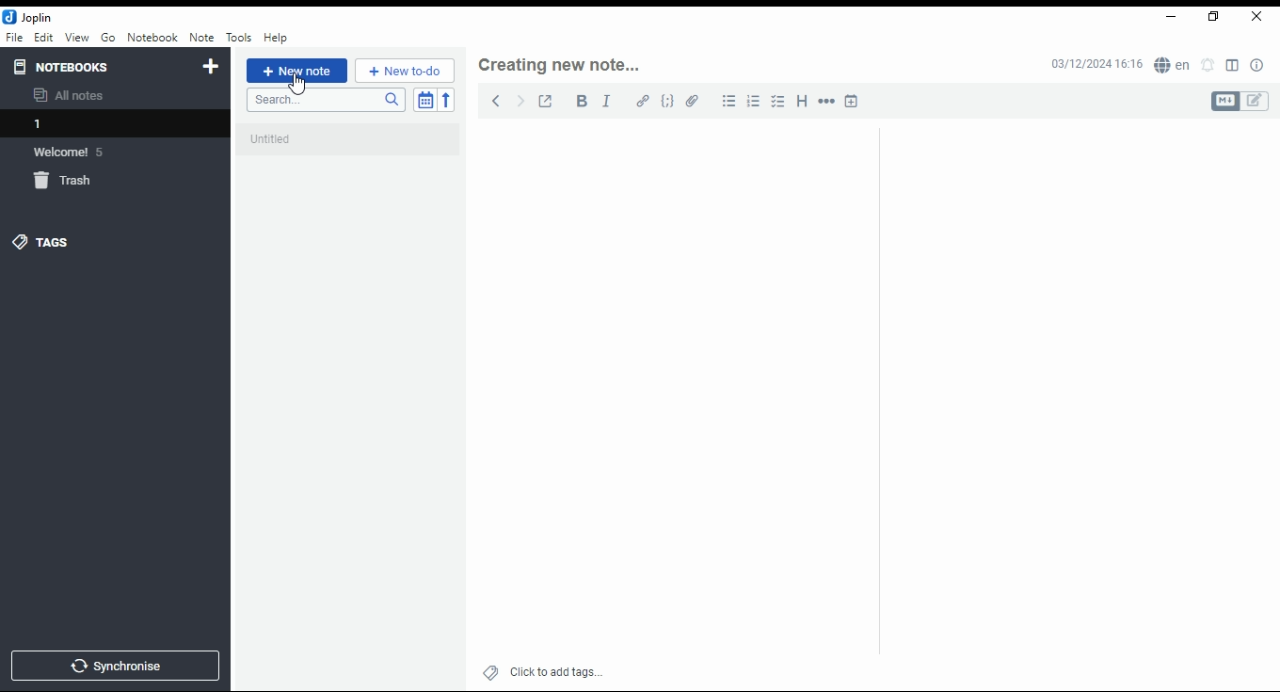 The width and height of the screenshot is (1280, 692). Describe the element at coordinates (606, 100) in the screenshot. I see `italics` at that location.